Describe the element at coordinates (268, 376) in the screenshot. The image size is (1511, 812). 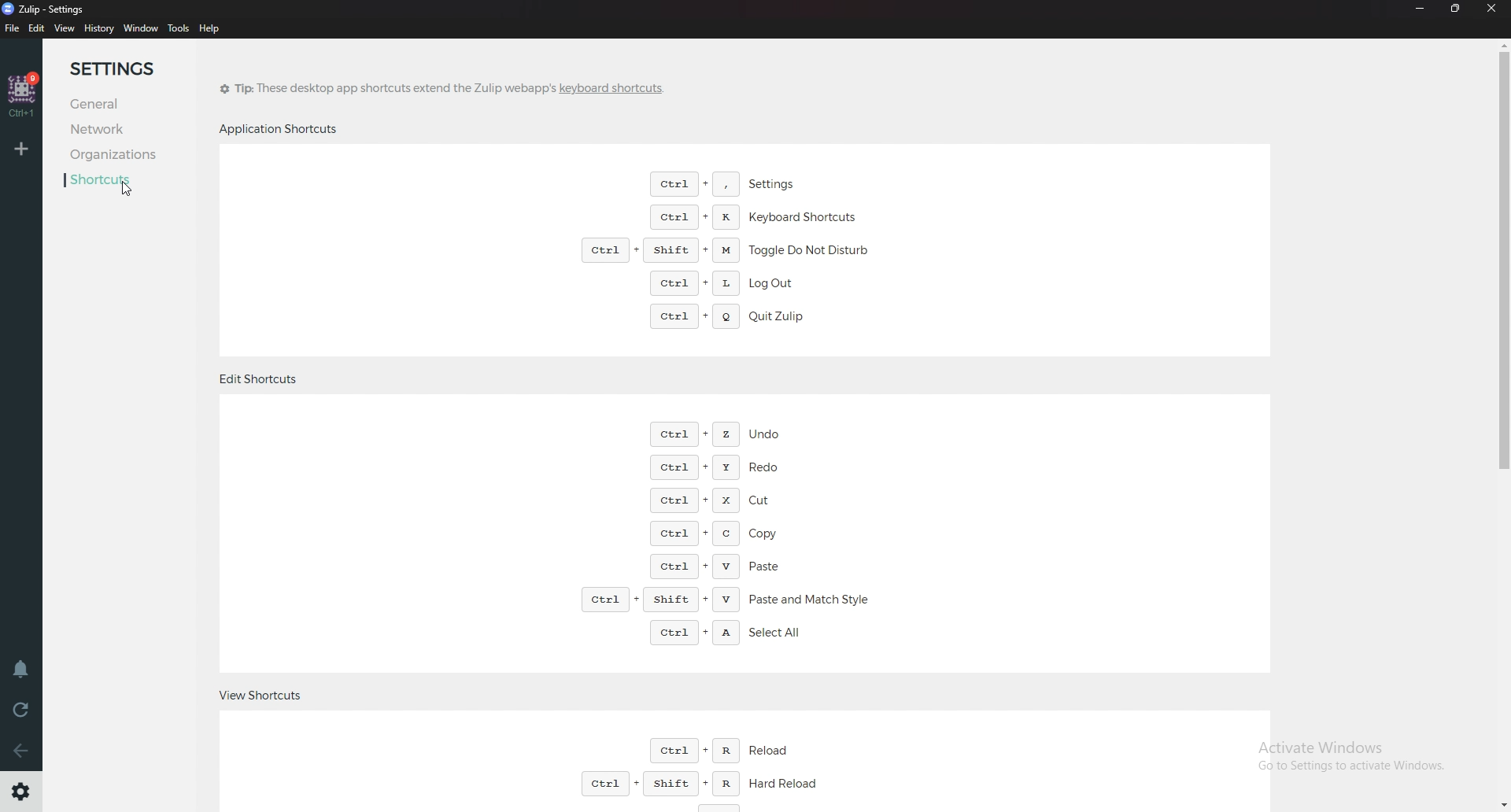
I see `edit shortcuts` at that location.